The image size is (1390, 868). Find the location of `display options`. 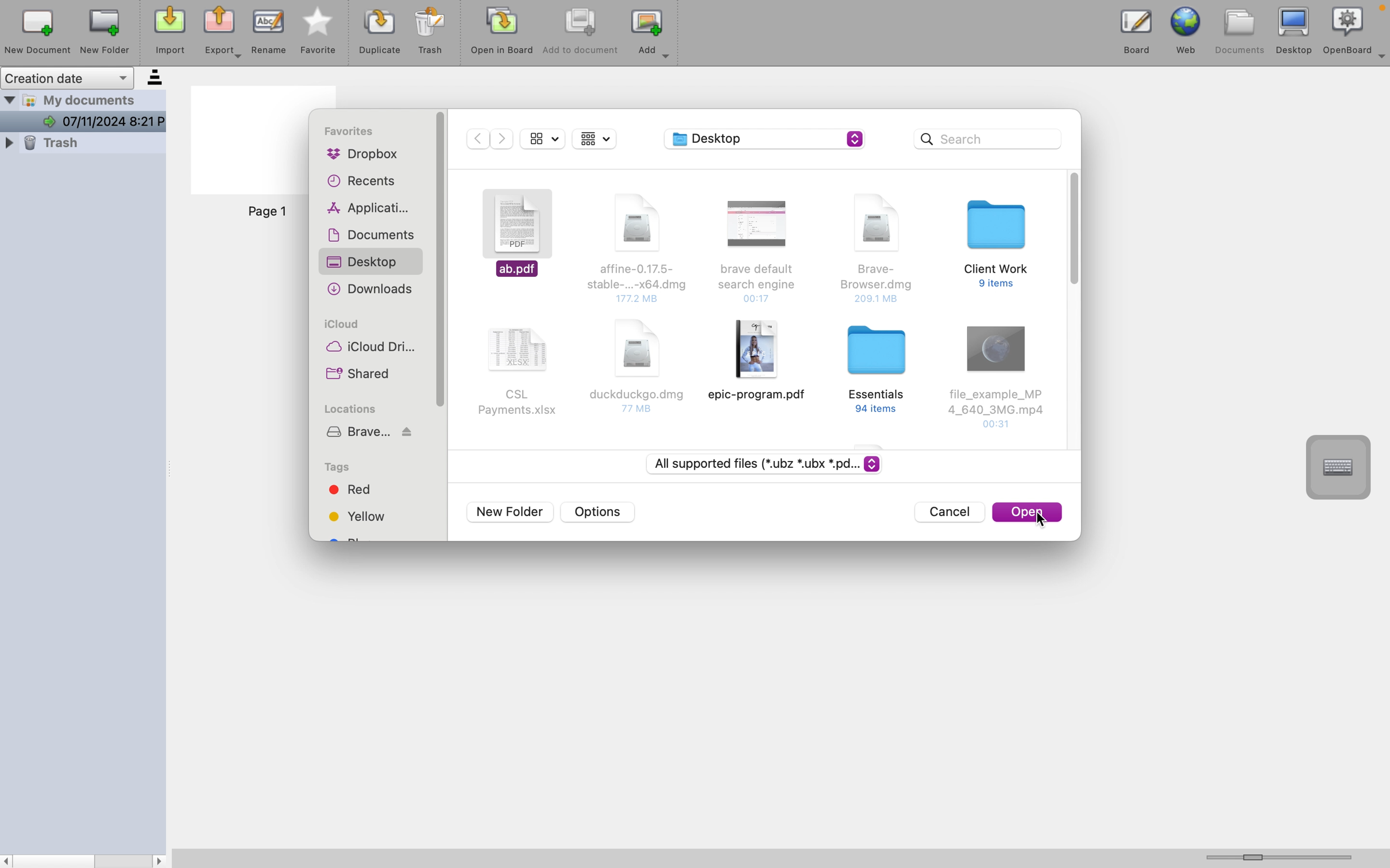

display options is located at coordinates (543, 139).